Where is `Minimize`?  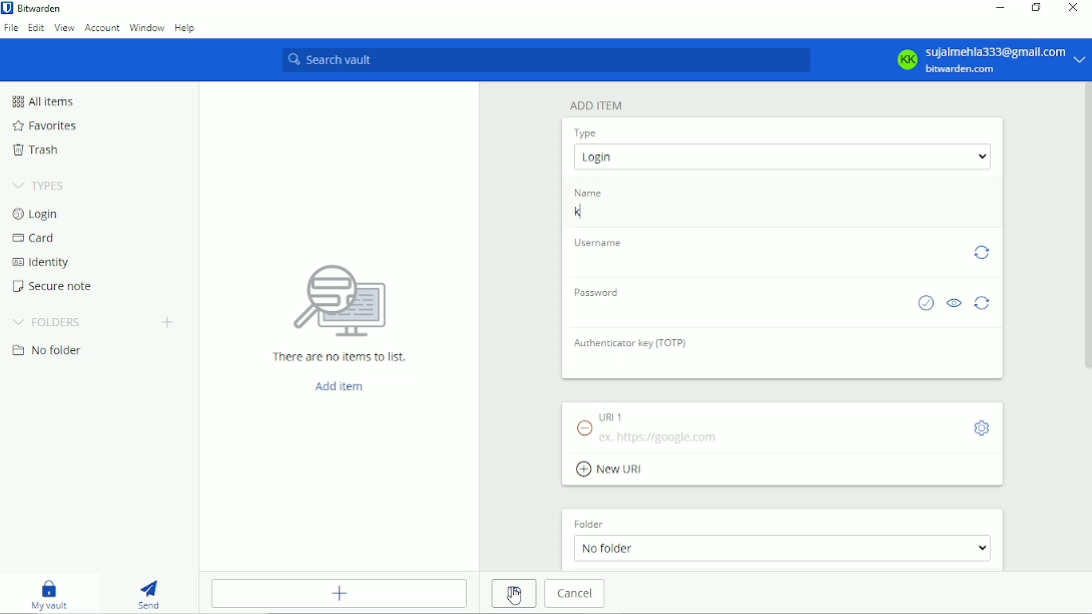
Minimize is located at coordinates (1001, 9).